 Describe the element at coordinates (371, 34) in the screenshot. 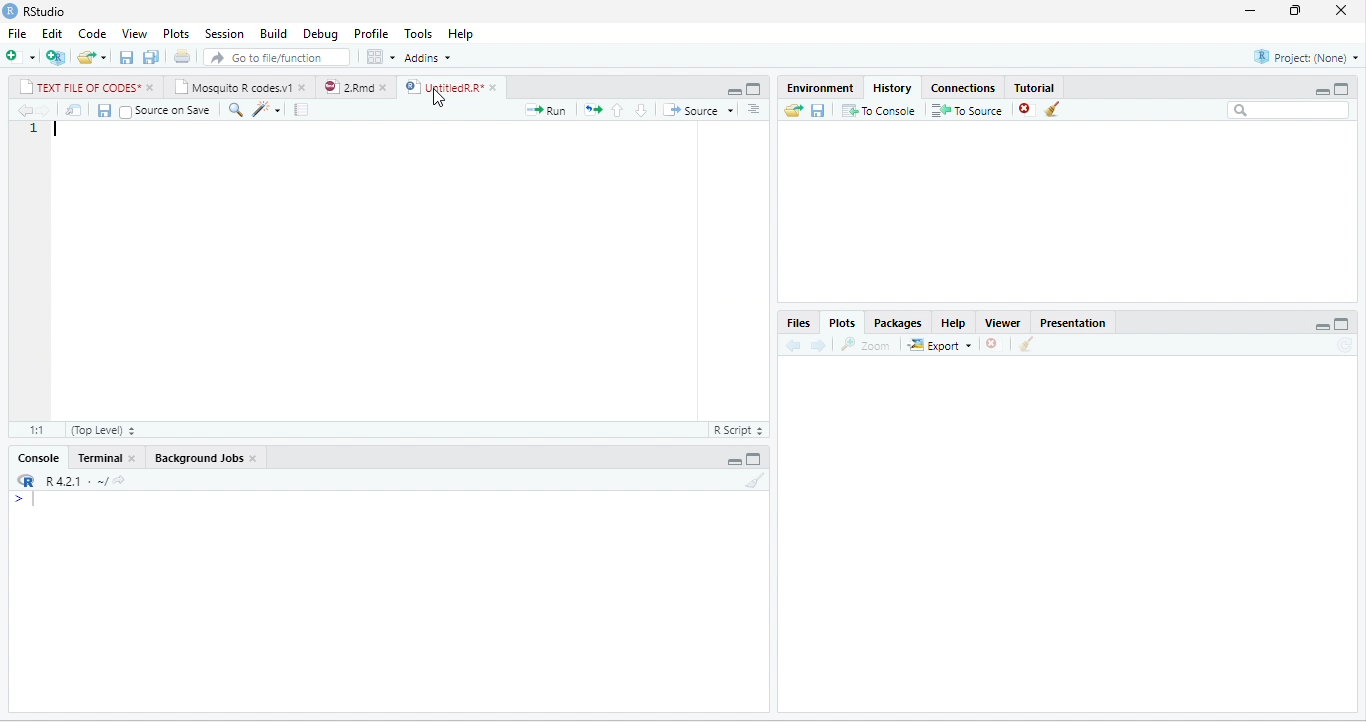

I see `Profile` at that location.